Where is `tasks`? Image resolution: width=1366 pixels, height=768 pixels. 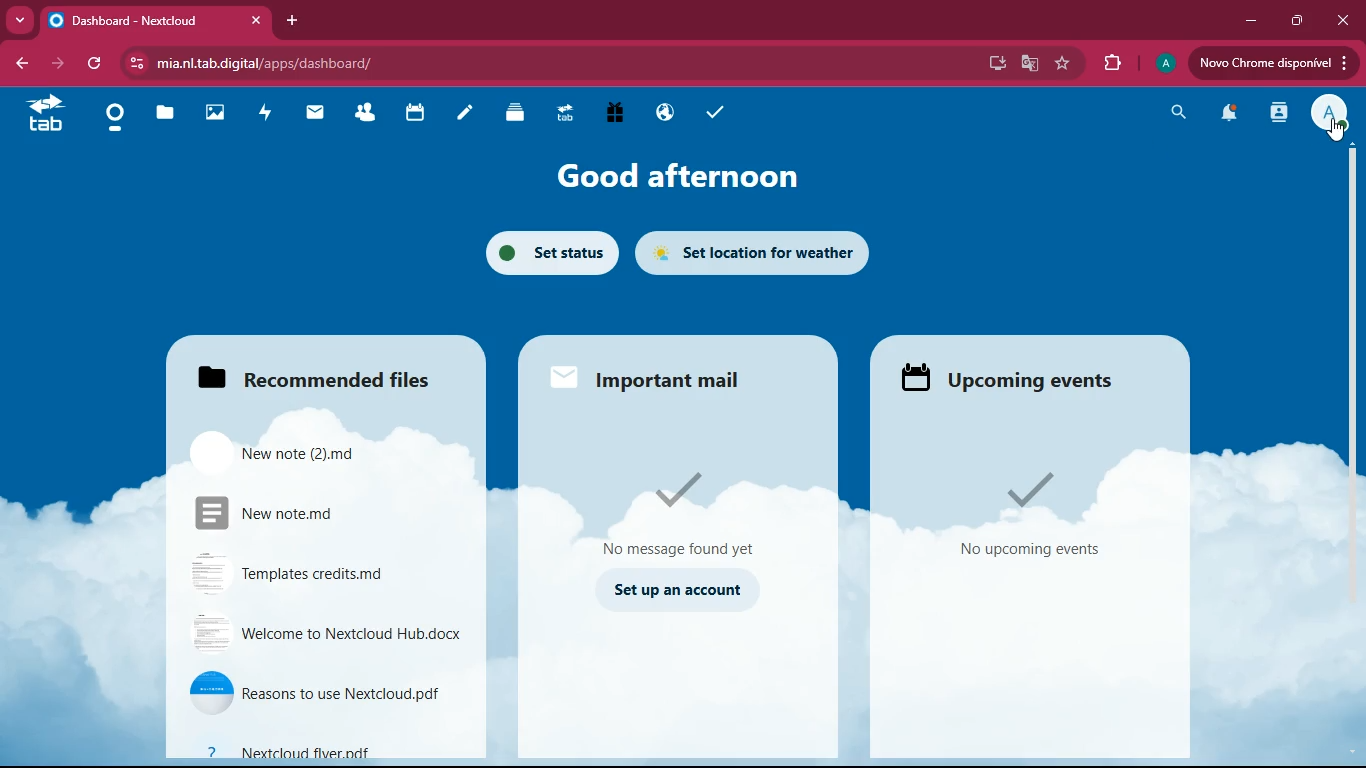 tasks is located at coordinates (717, 115).